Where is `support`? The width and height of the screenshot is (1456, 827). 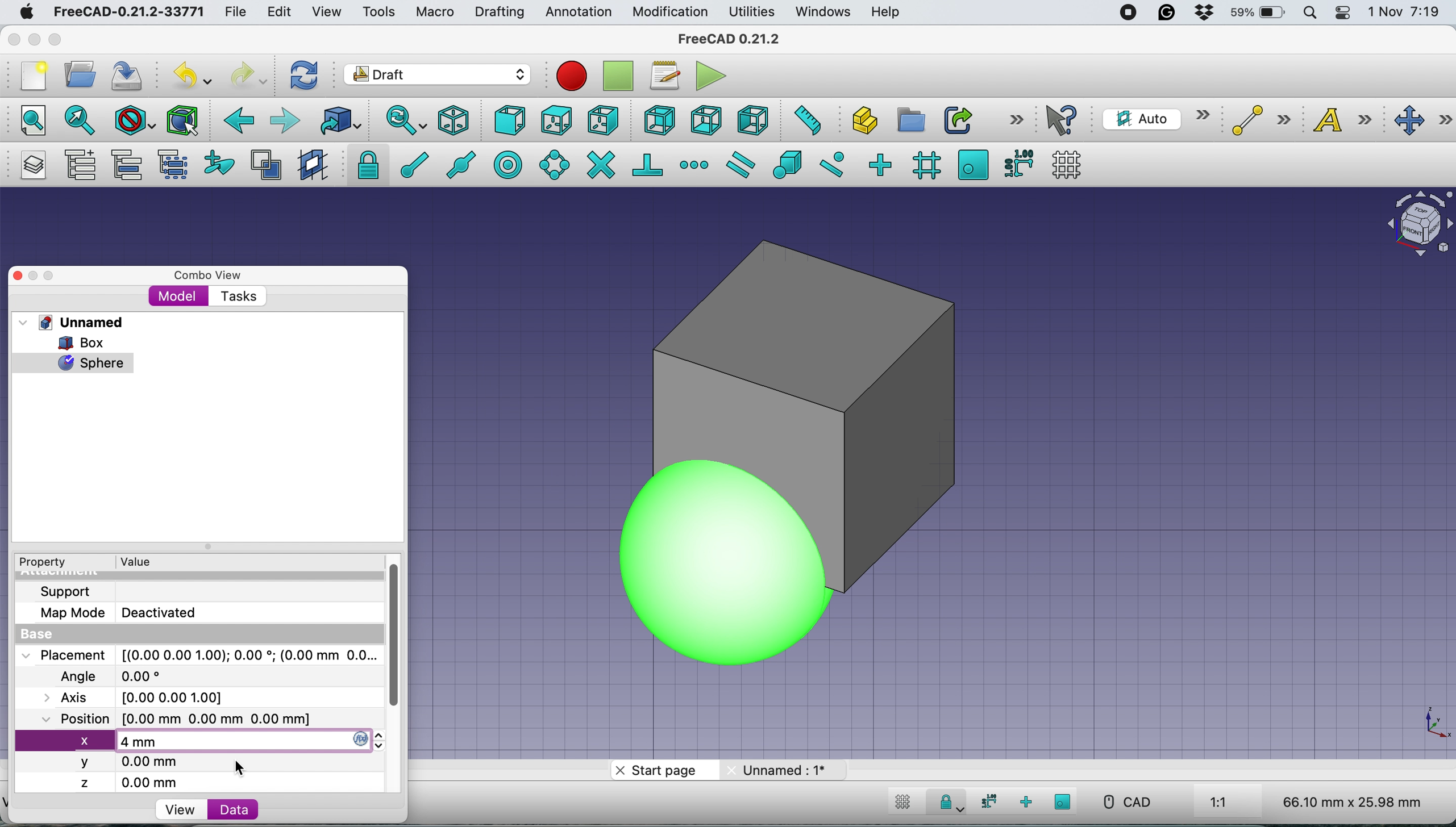
support is located at coordinates (69, 590).